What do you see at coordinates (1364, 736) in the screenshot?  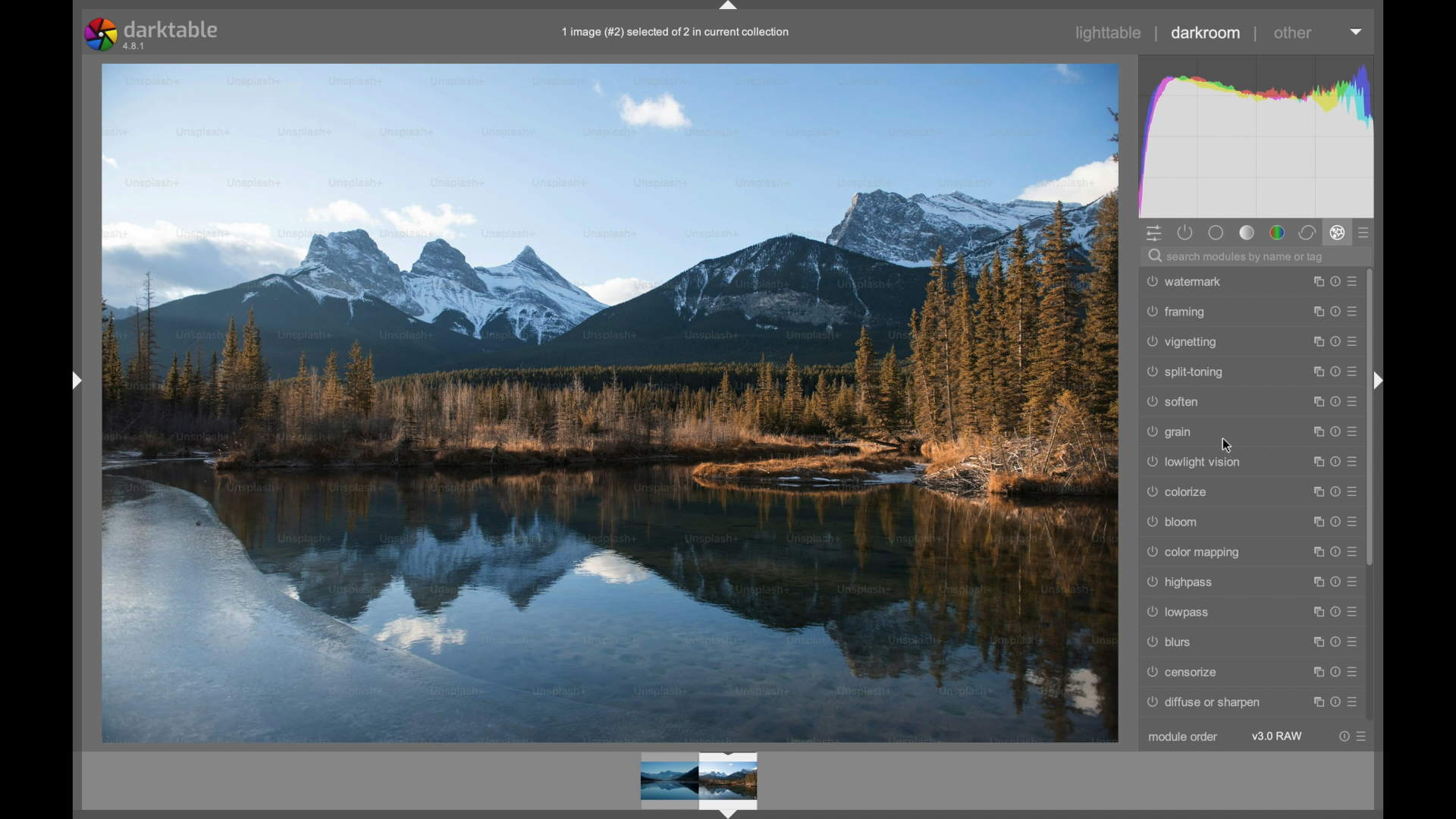 I see `presets` at bounding box center [1364, 736].